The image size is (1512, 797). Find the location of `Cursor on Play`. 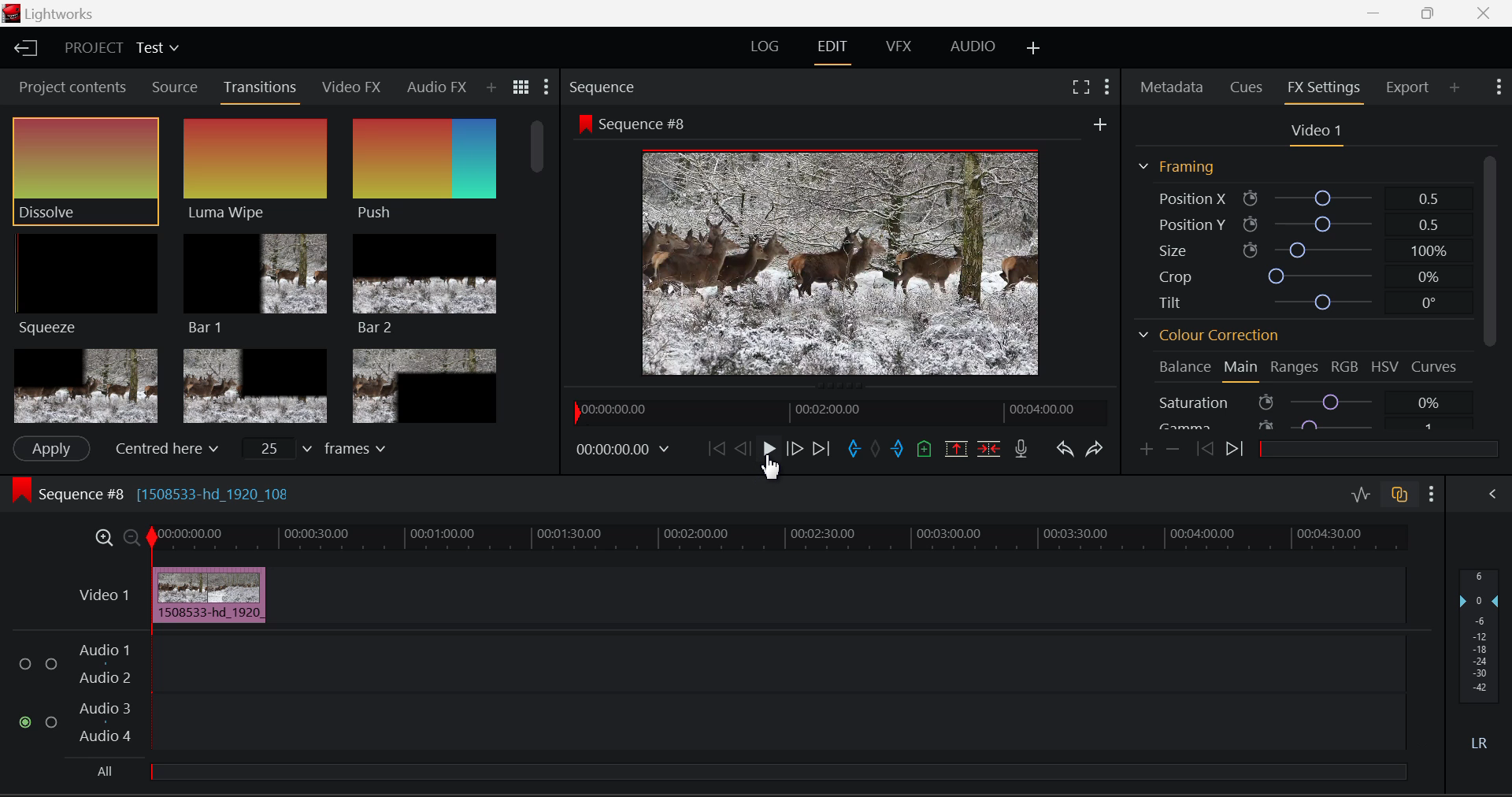

Cursor on Play is located at coordinates (769, 453).